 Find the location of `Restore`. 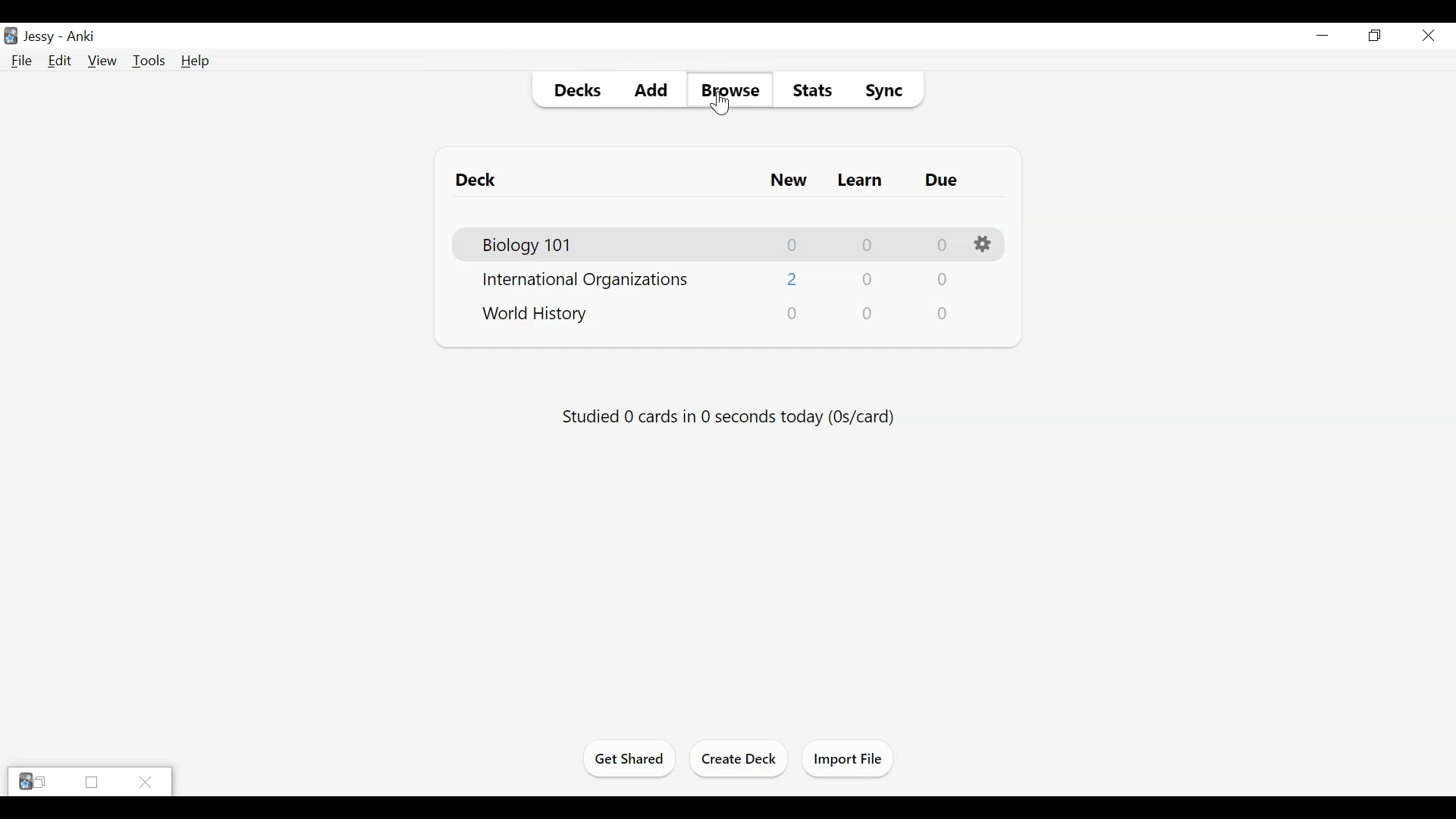

Restore is located at coordinates (90, 783).